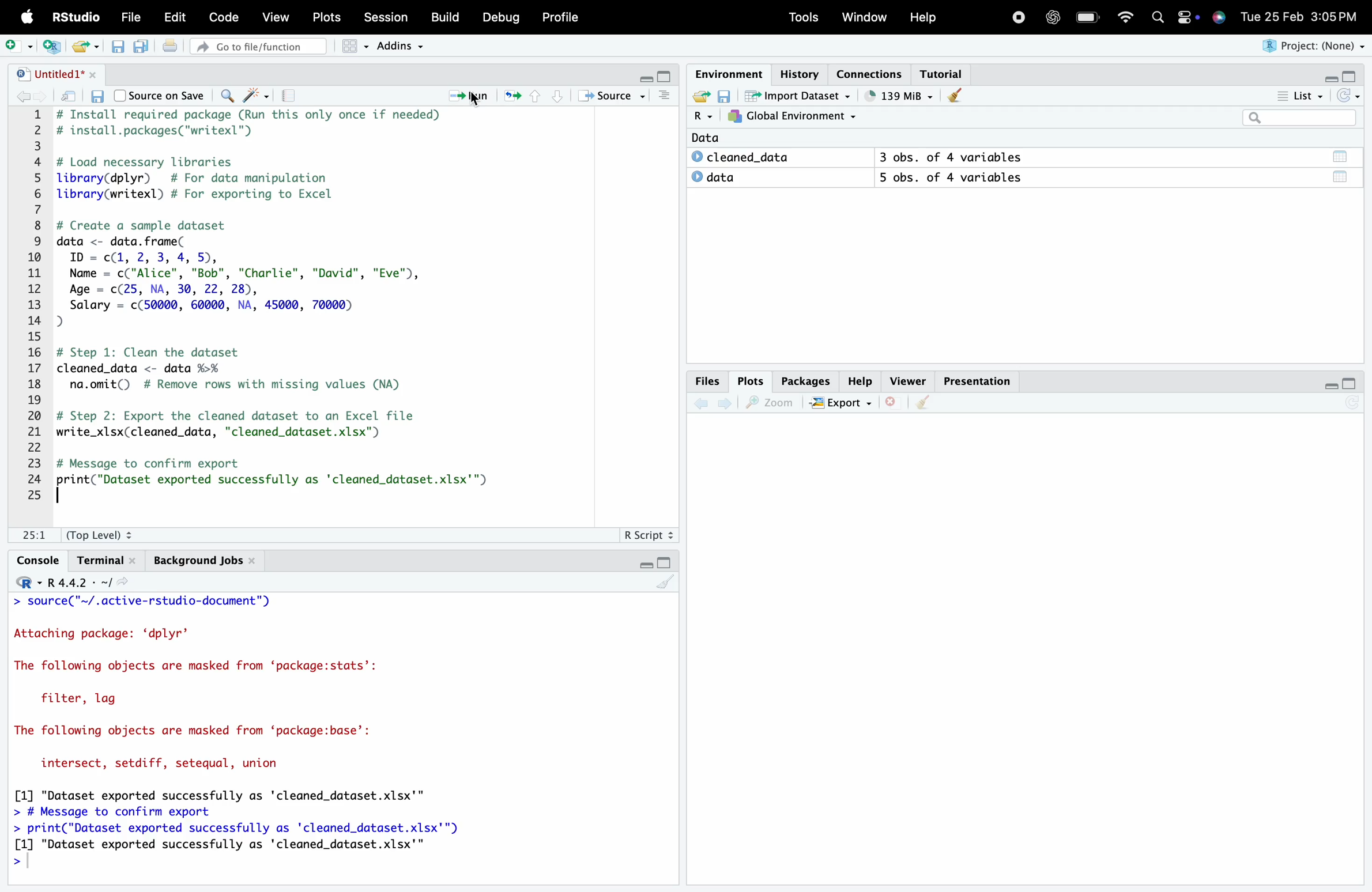  I want to click on  Go back to the previous source location (Ctrl + F9), so click(700, 403).